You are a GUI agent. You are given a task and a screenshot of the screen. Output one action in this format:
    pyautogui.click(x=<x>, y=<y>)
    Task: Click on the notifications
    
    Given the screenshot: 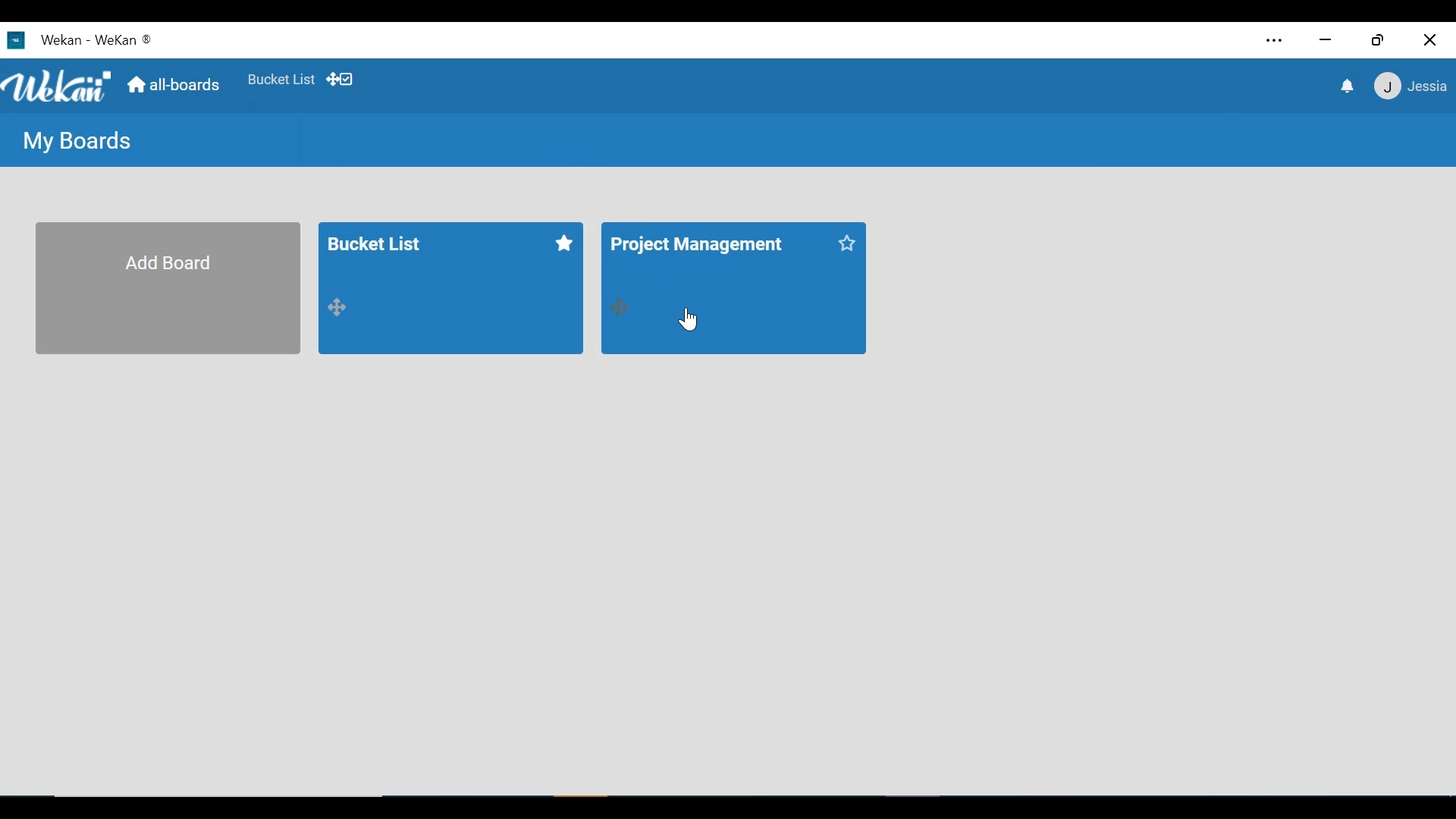 What is the action you would take?
    pyautogui.click(x=1345, y=86)
    